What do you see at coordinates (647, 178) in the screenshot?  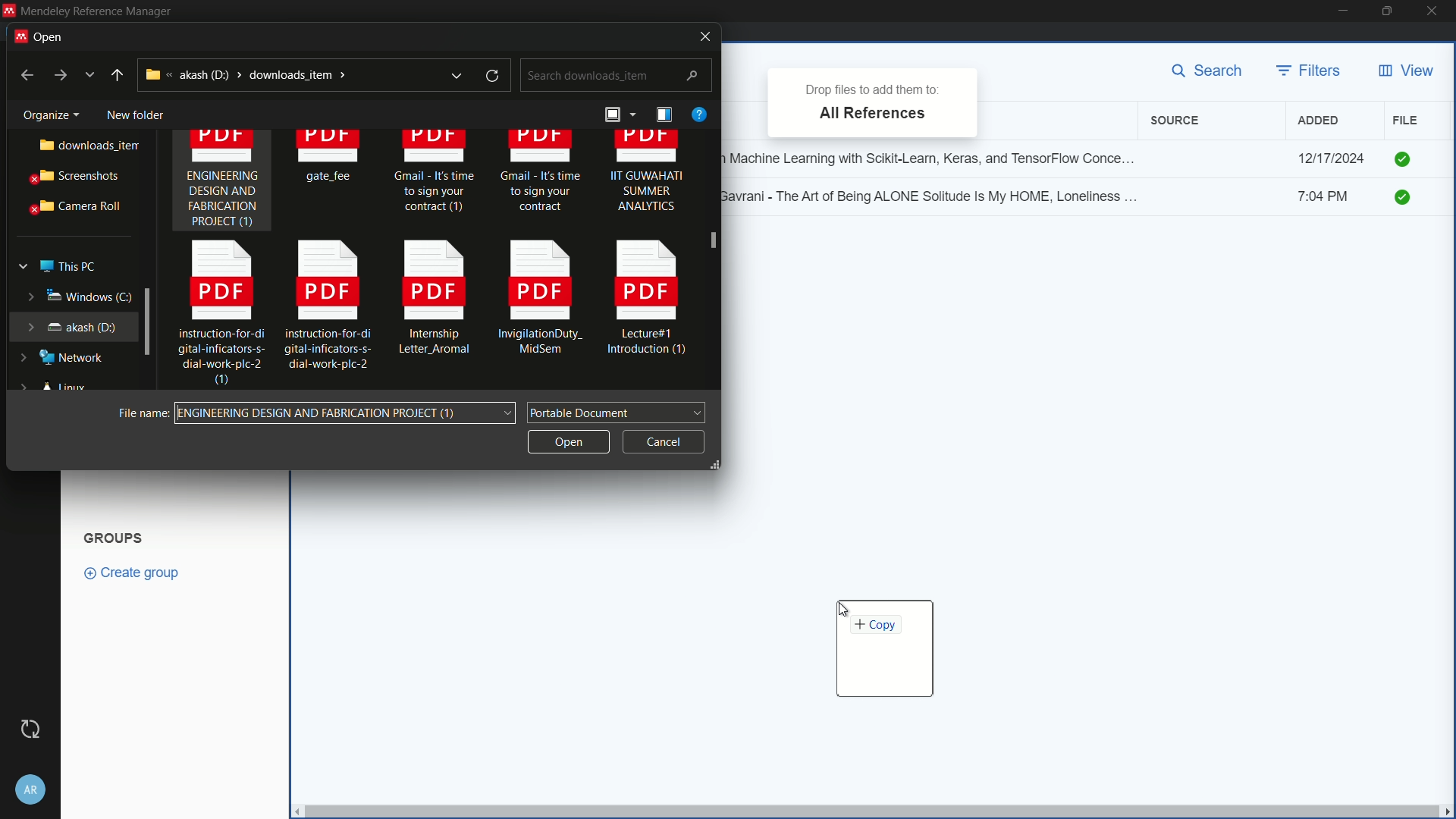 I see `IIT GUWAHATI
SUMMER
ANALYTICS` at bounding box center [647, 178].